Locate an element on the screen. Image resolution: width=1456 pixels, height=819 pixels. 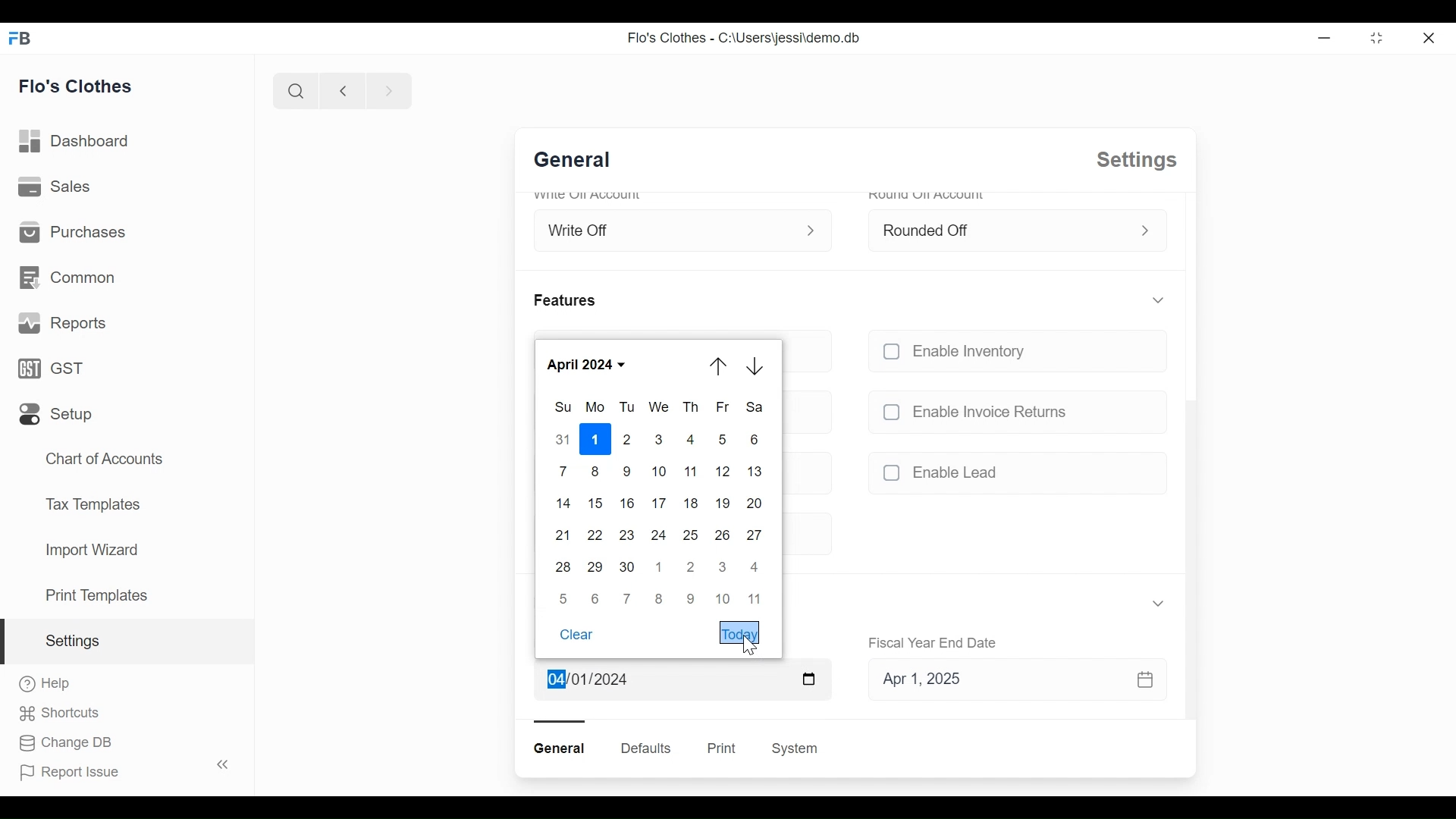
2 is located at coordinates (692, 567).